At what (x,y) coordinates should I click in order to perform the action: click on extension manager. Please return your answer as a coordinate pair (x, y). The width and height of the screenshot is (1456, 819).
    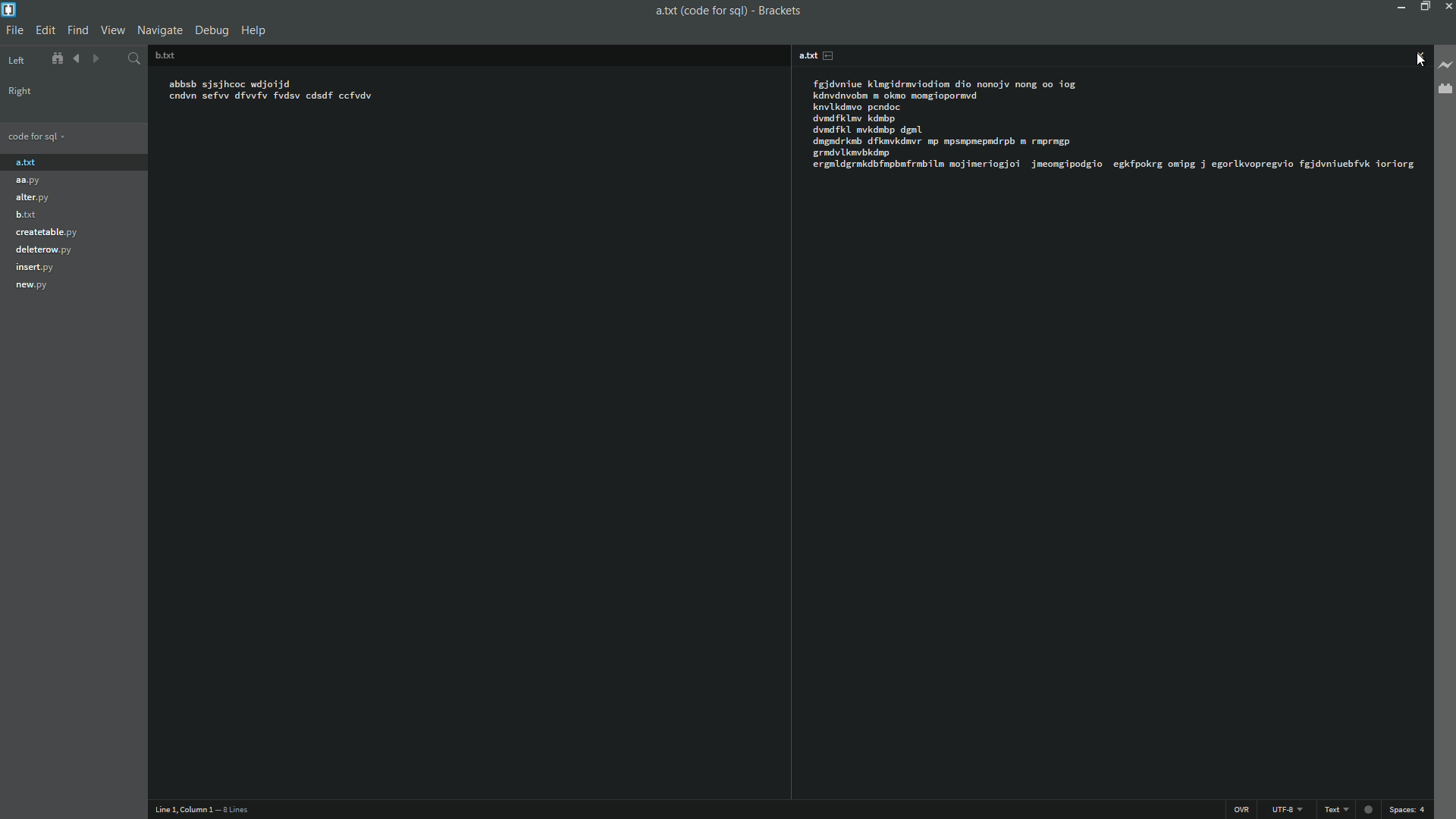
    Looking at the image, I should click on (1444, 92).